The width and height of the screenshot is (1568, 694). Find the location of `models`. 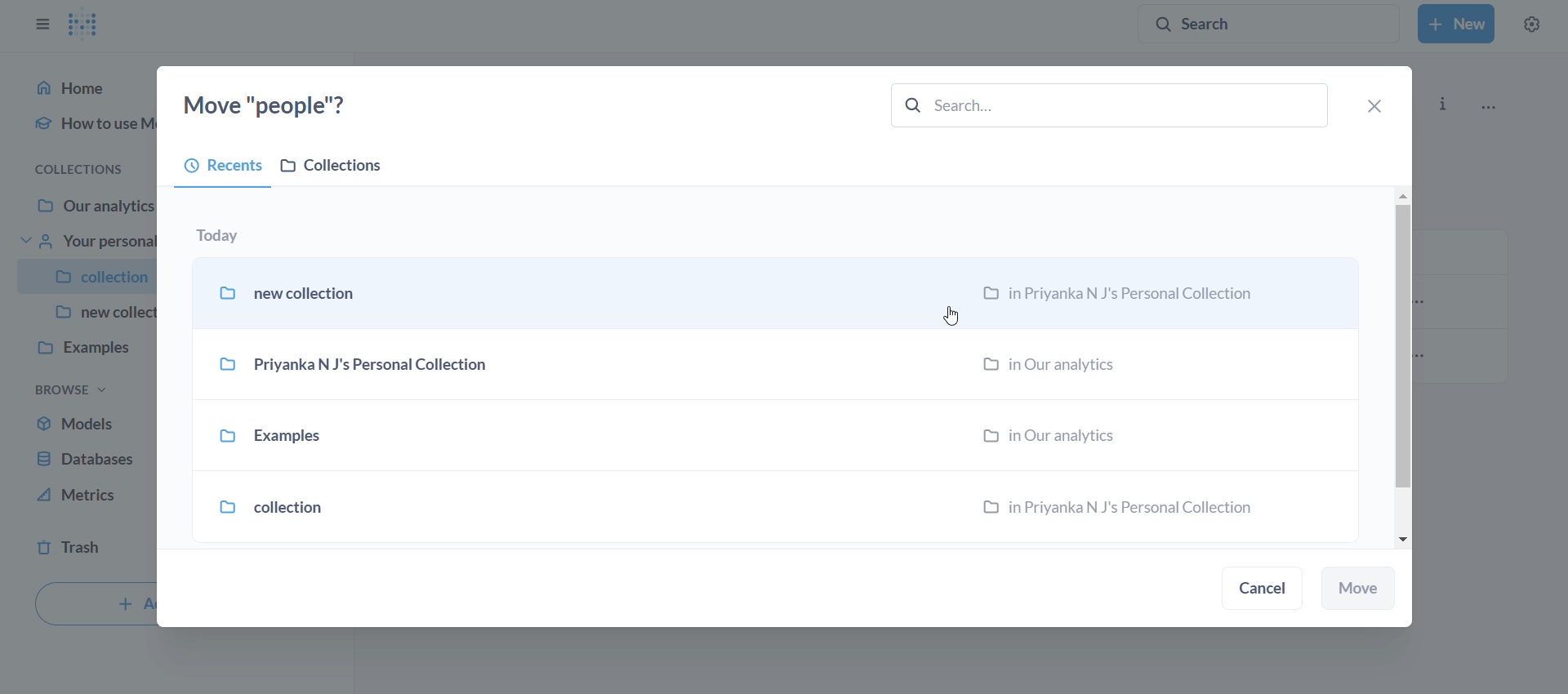

models is located at coordinates (78, 423).